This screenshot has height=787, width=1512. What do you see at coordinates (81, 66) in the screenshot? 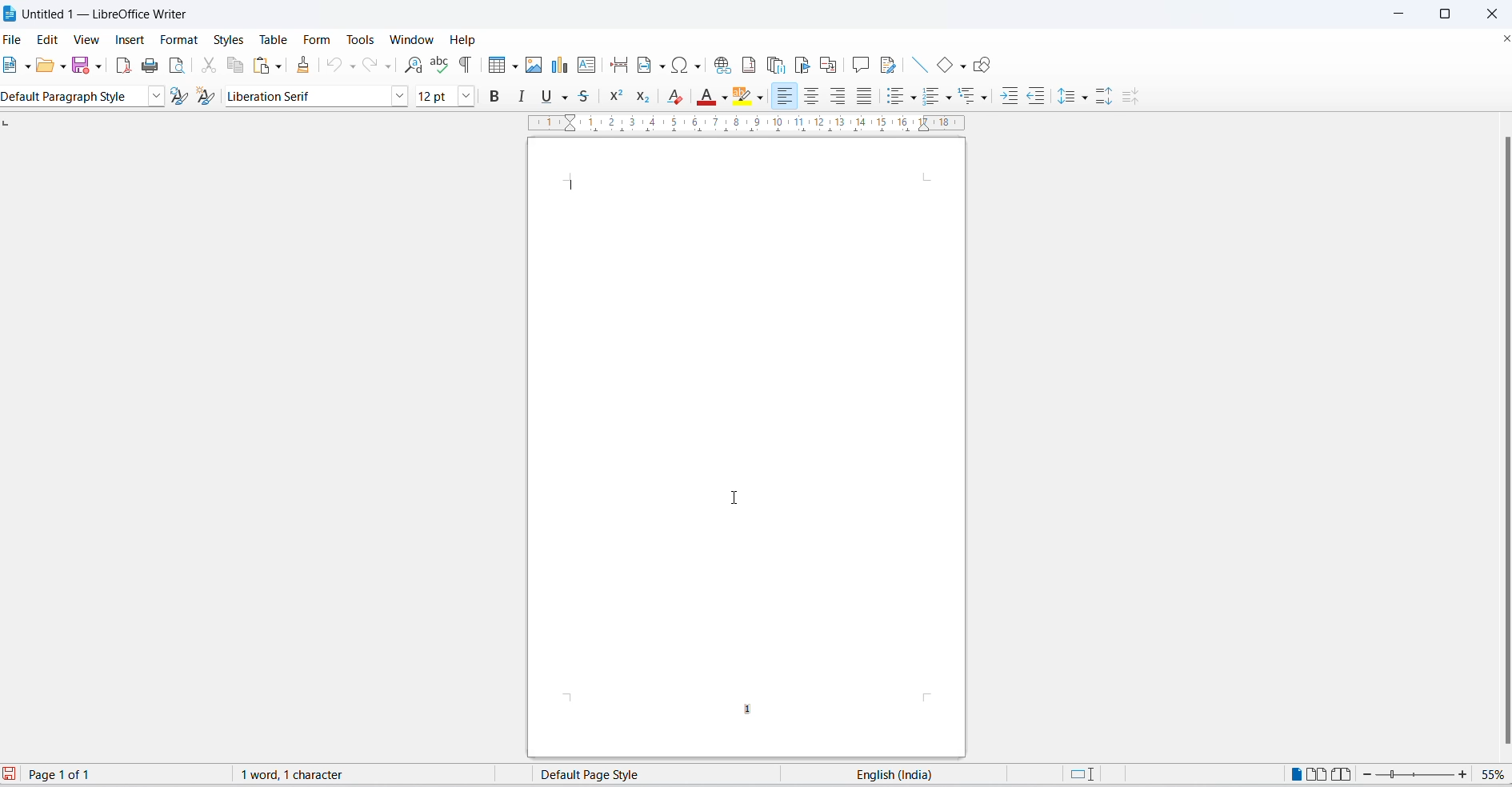
I see `save` at bounding box center [81, 66].